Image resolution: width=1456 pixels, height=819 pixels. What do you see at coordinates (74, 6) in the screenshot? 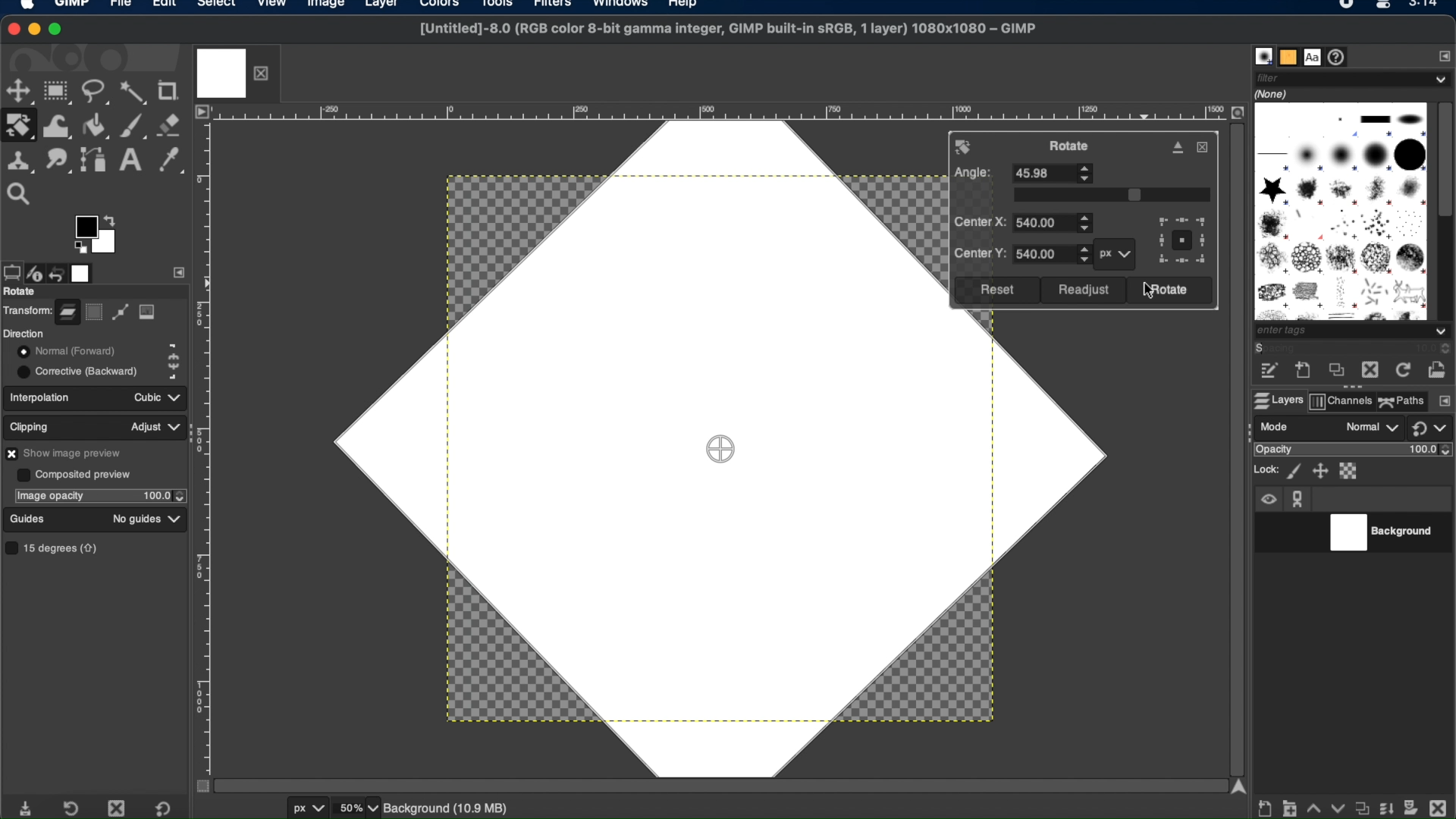
I see `GIMP` at bounding box center [74, 6].